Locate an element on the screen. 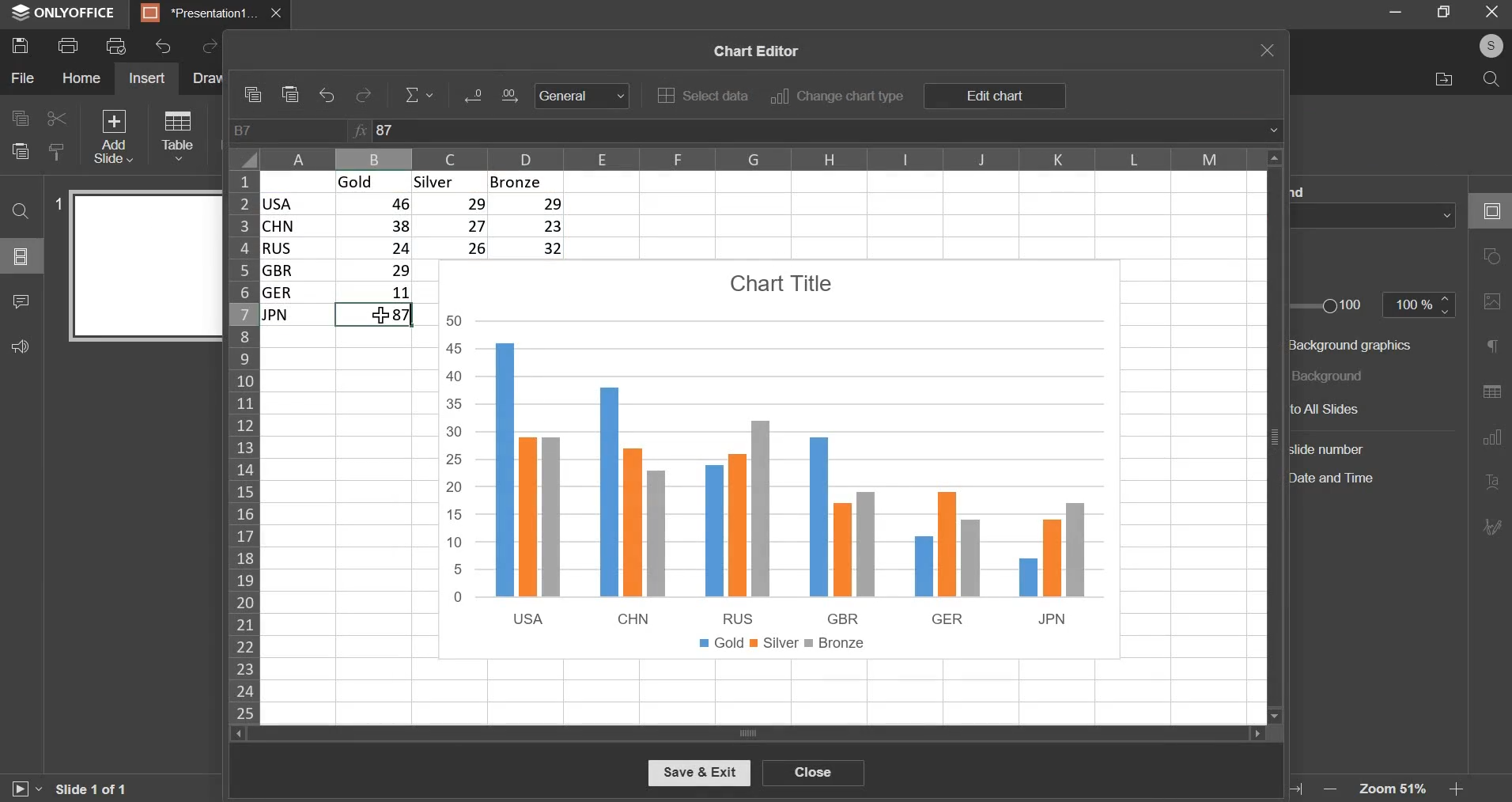 The width and height of the screenshot is (1512, 802). background fill color is located at coordinates (1378, 215).